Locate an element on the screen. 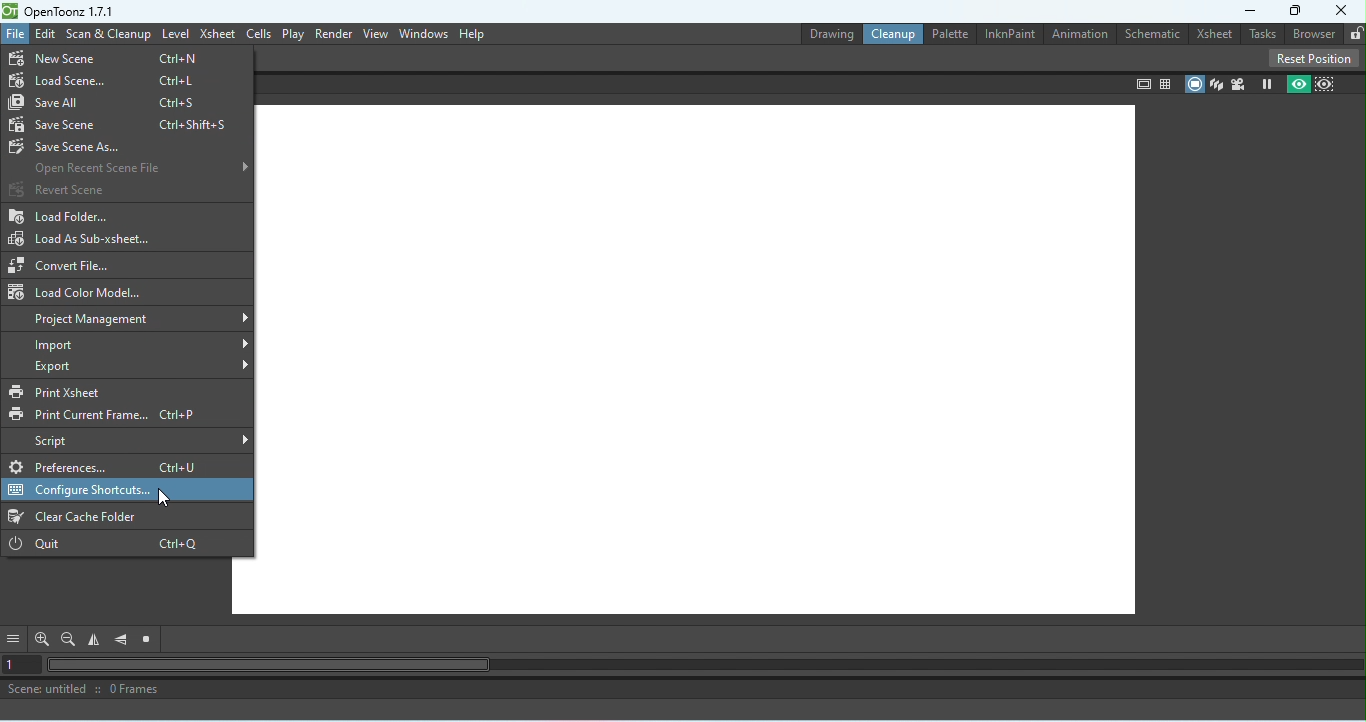 This screenshot has height=722, width=1366. Cells is located at coordinates (261, 32).